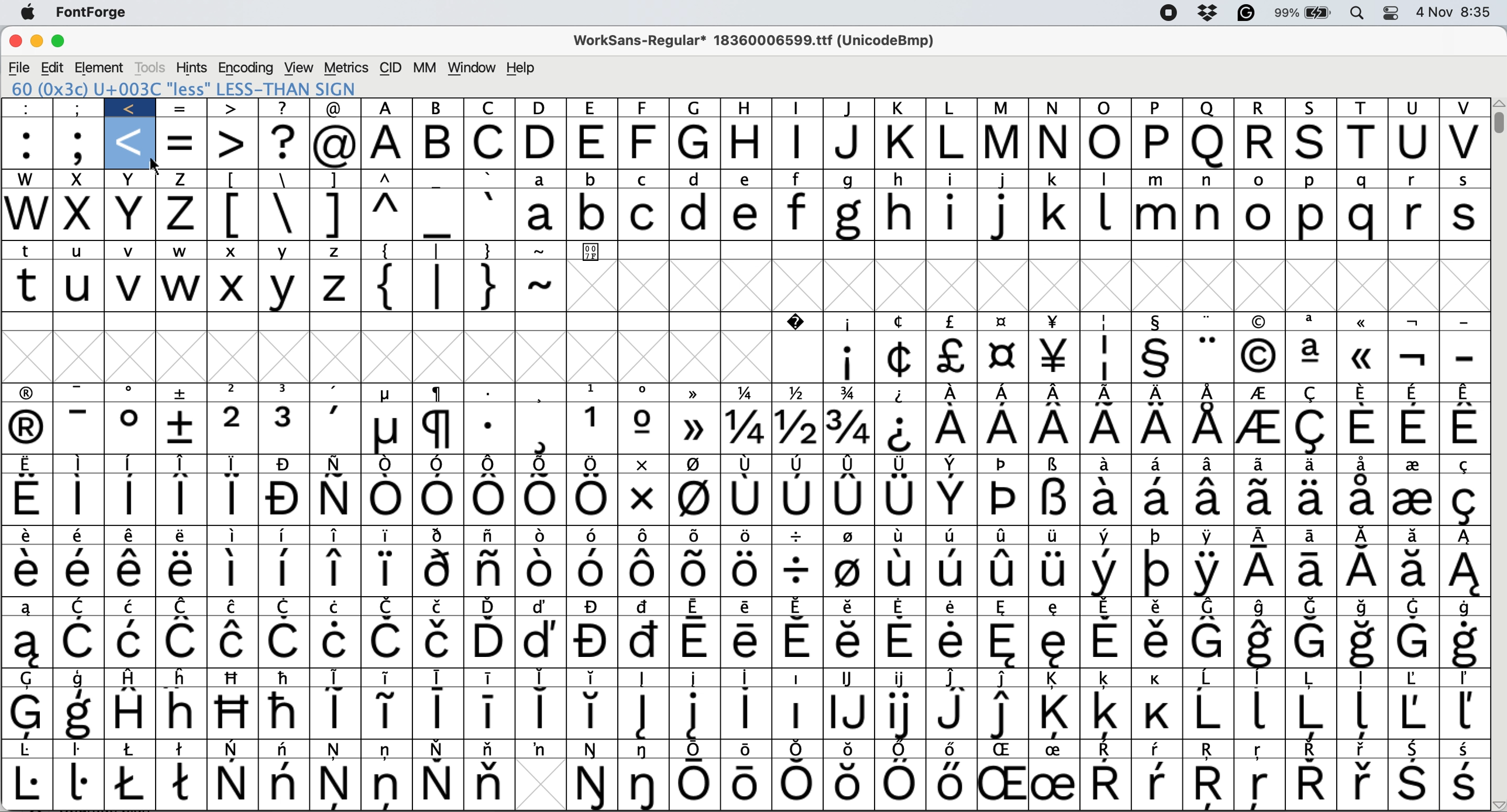 Image resolution: width=1507 pixels, height=812 pixels. What do you see at coordinates (901, 783) in the screenshot?
I see `Symbol` at bounding box center [901, 783].